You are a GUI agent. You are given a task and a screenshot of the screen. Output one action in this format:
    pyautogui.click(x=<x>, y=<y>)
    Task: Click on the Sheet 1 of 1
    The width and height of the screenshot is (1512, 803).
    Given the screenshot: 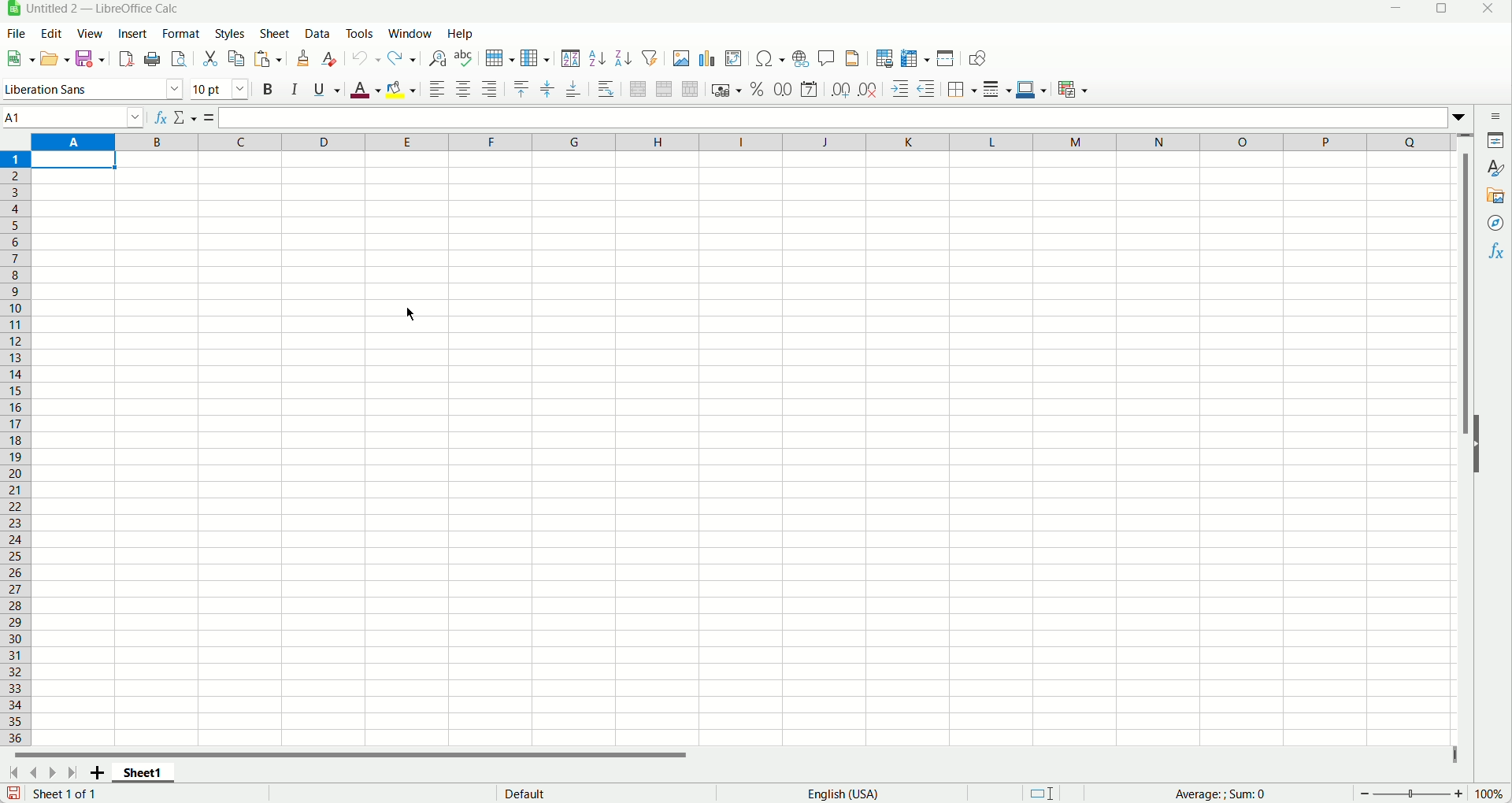 What is the action you would take?
    pyautogui.click(x=69, y=794)
    